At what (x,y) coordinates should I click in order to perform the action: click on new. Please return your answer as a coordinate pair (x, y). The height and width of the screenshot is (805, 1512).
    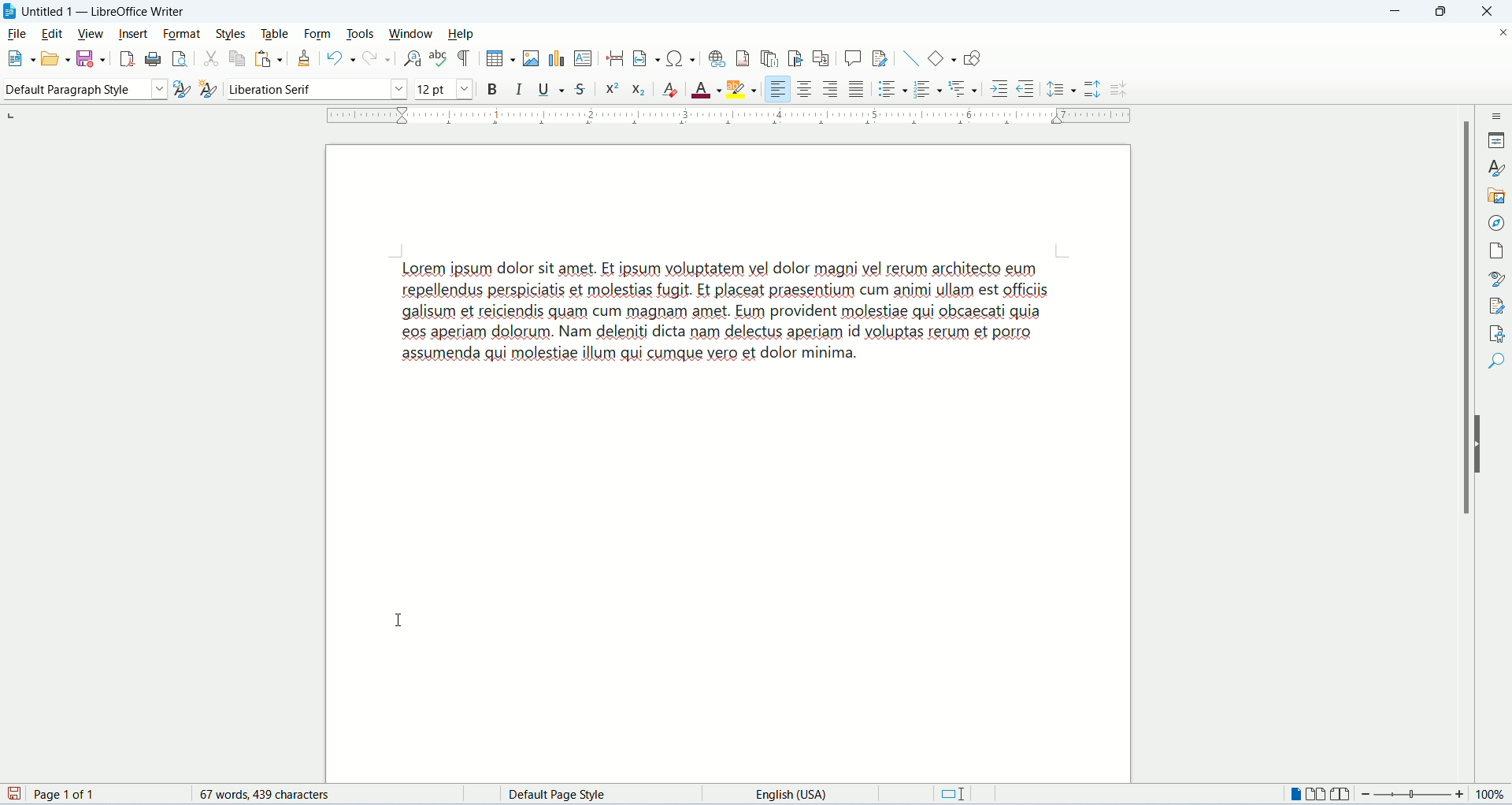
    Looking at the image, I should click on (15, 59).